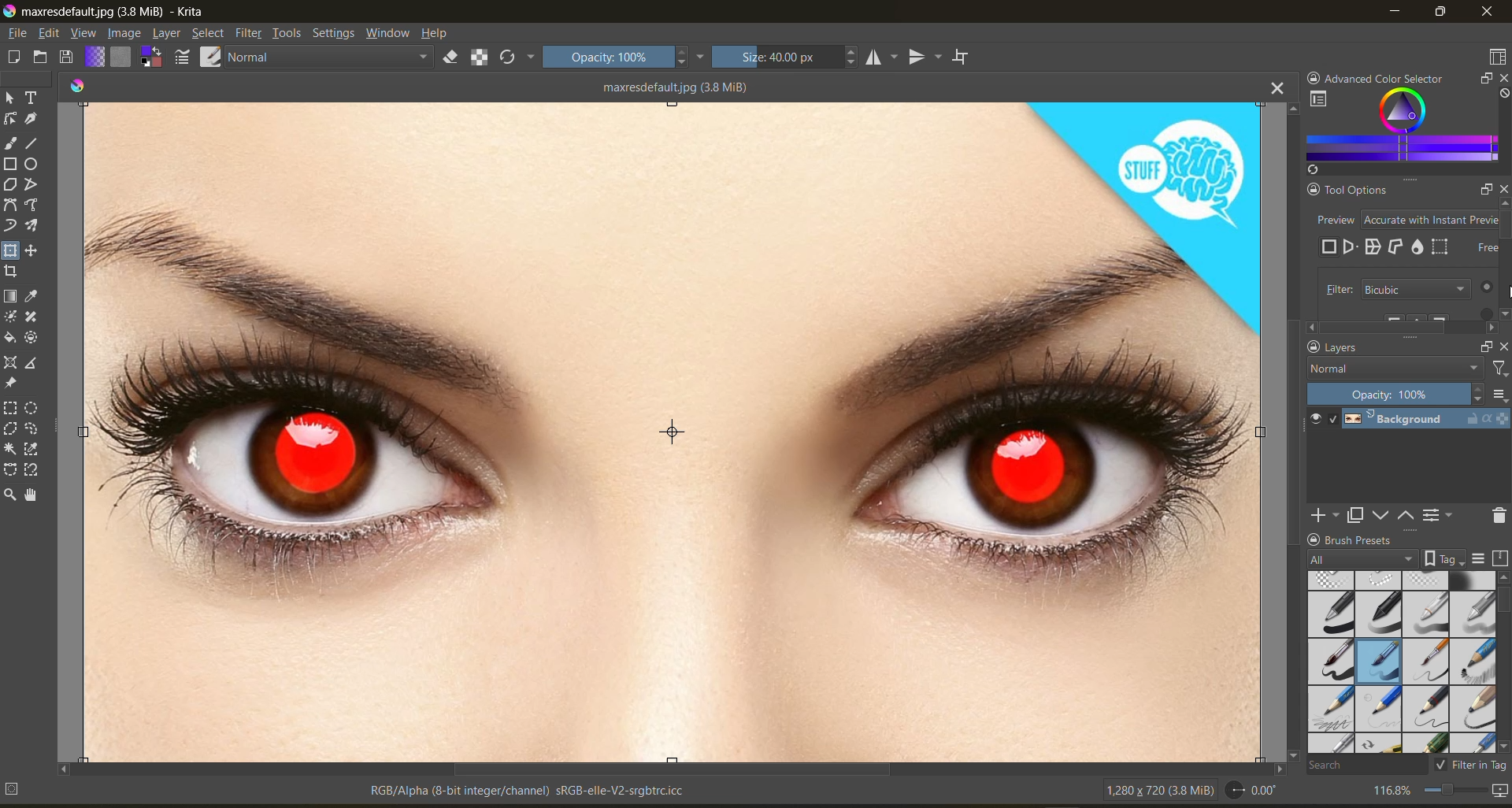  Describe the element at coordinates (518, 60) in the screenshot. I see `reload original preset` at that location.